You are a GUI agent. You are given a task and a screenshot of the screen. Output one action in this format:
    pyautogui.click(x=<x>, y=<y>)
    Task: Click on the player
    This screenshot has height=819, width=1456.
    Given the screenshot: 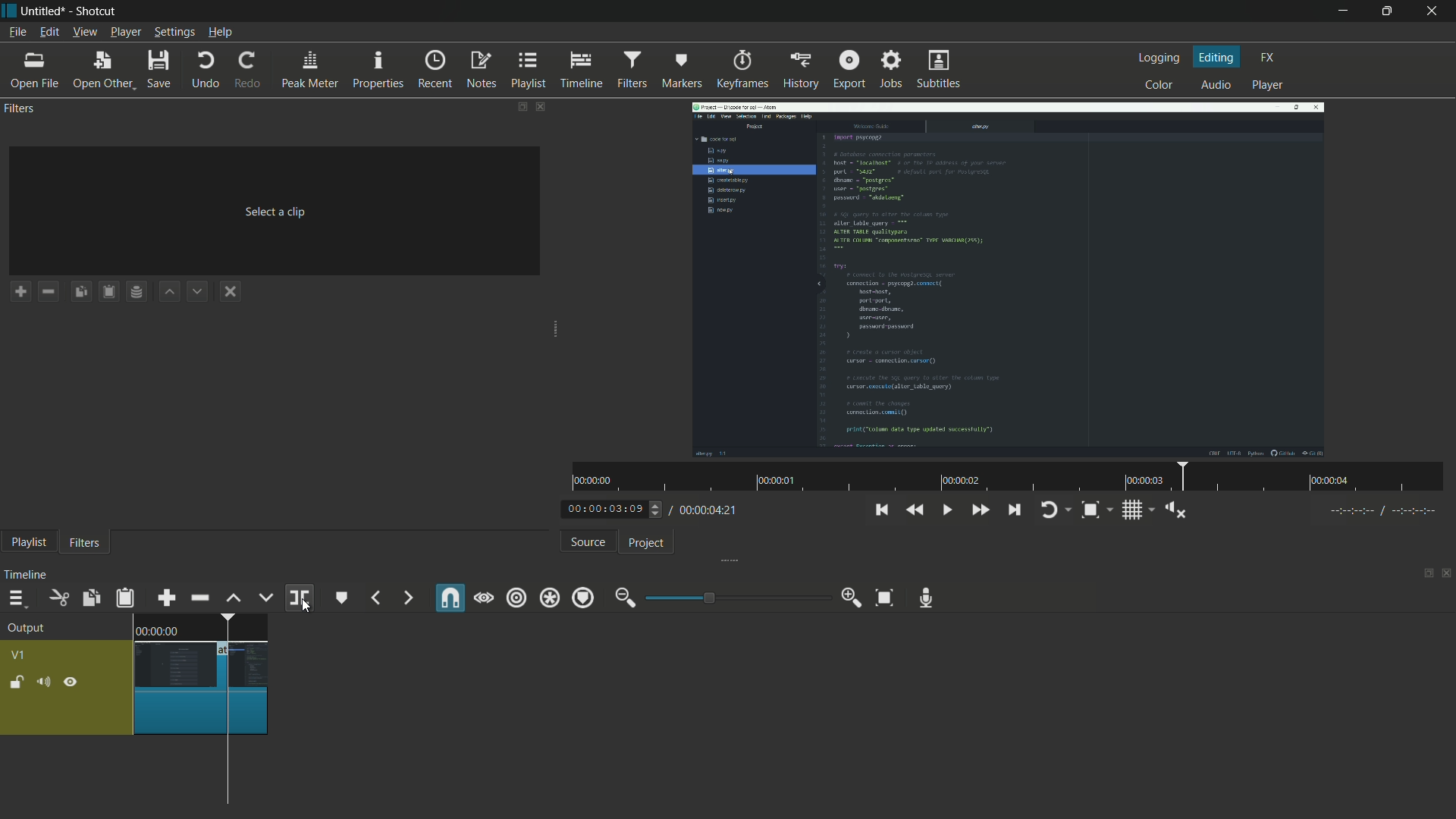 What is the action you would take?
    pyautogui.click(x=1266, y=86)
    